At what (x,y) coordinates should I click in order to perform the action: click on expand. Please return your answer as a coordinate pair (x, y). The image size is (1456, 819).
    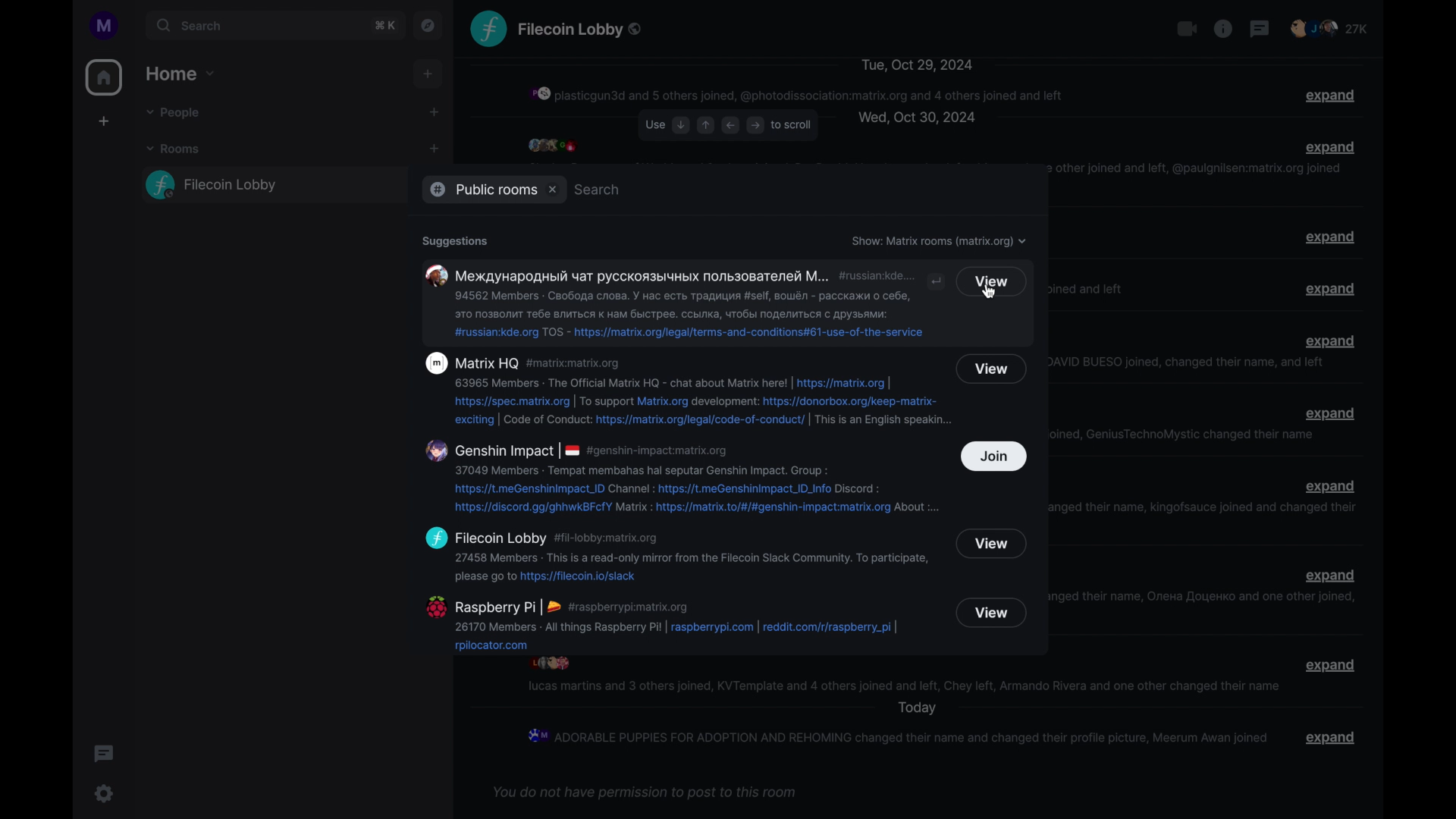
    Looking at the image, I should click on (1332, 737).